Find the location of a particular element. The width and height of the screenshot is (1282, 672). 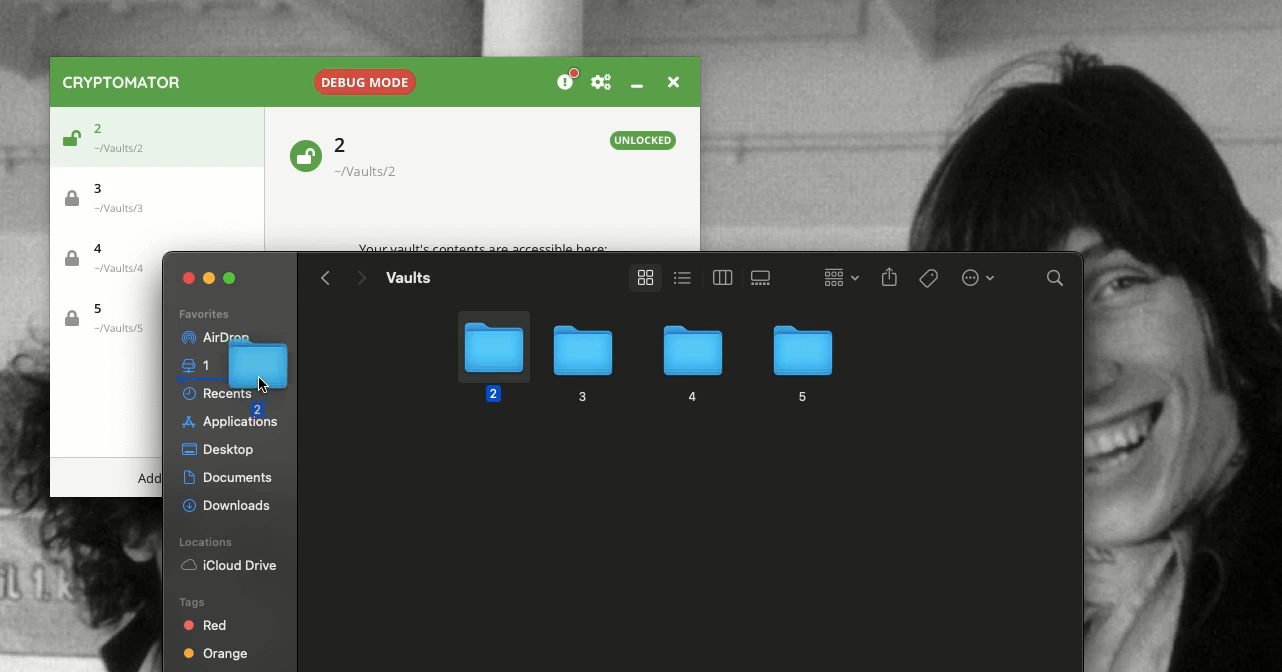

3 is located at coordinates (580, 364).